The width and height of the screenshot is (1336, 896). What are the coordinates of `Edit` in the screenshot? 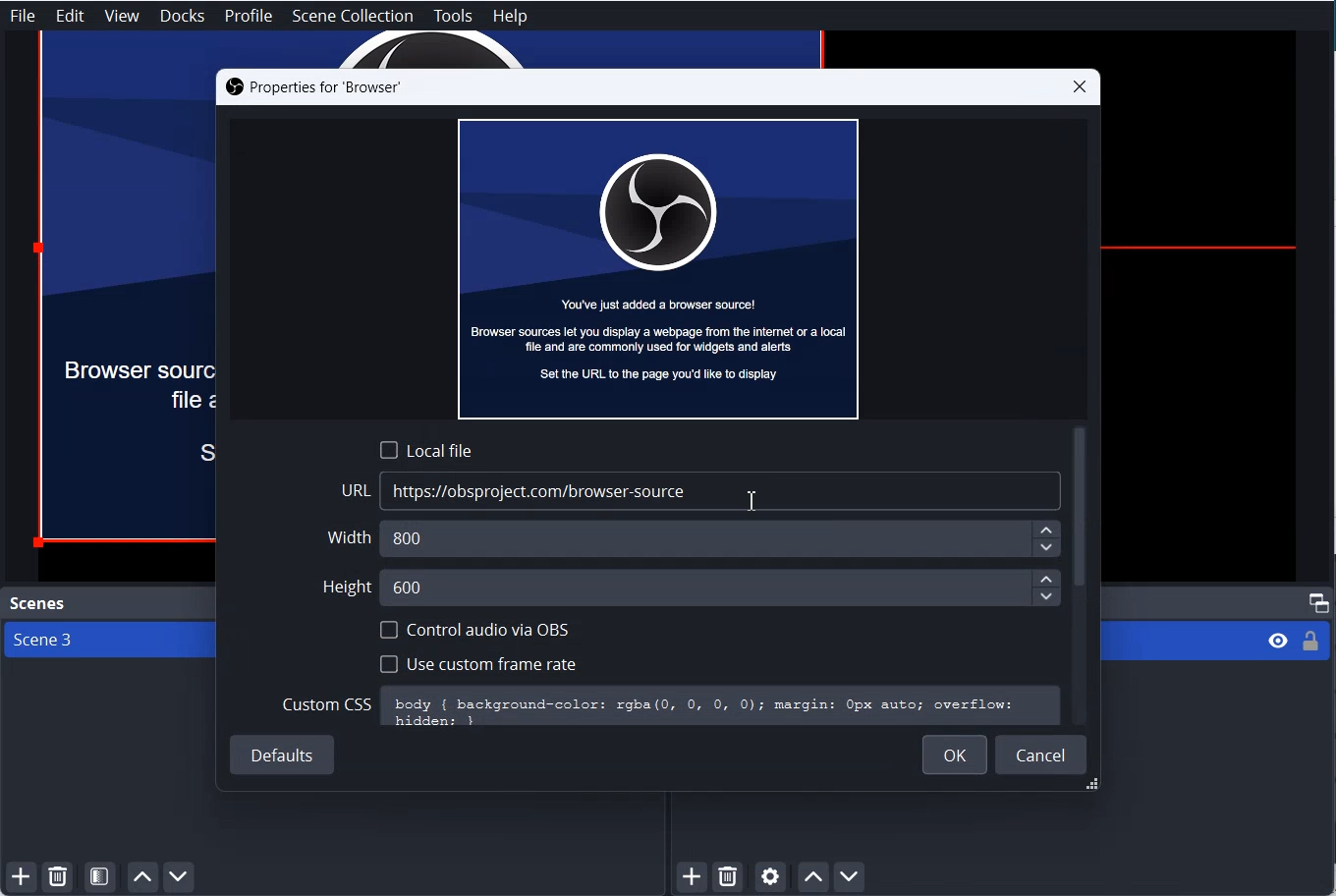 It's located at (71, 16).